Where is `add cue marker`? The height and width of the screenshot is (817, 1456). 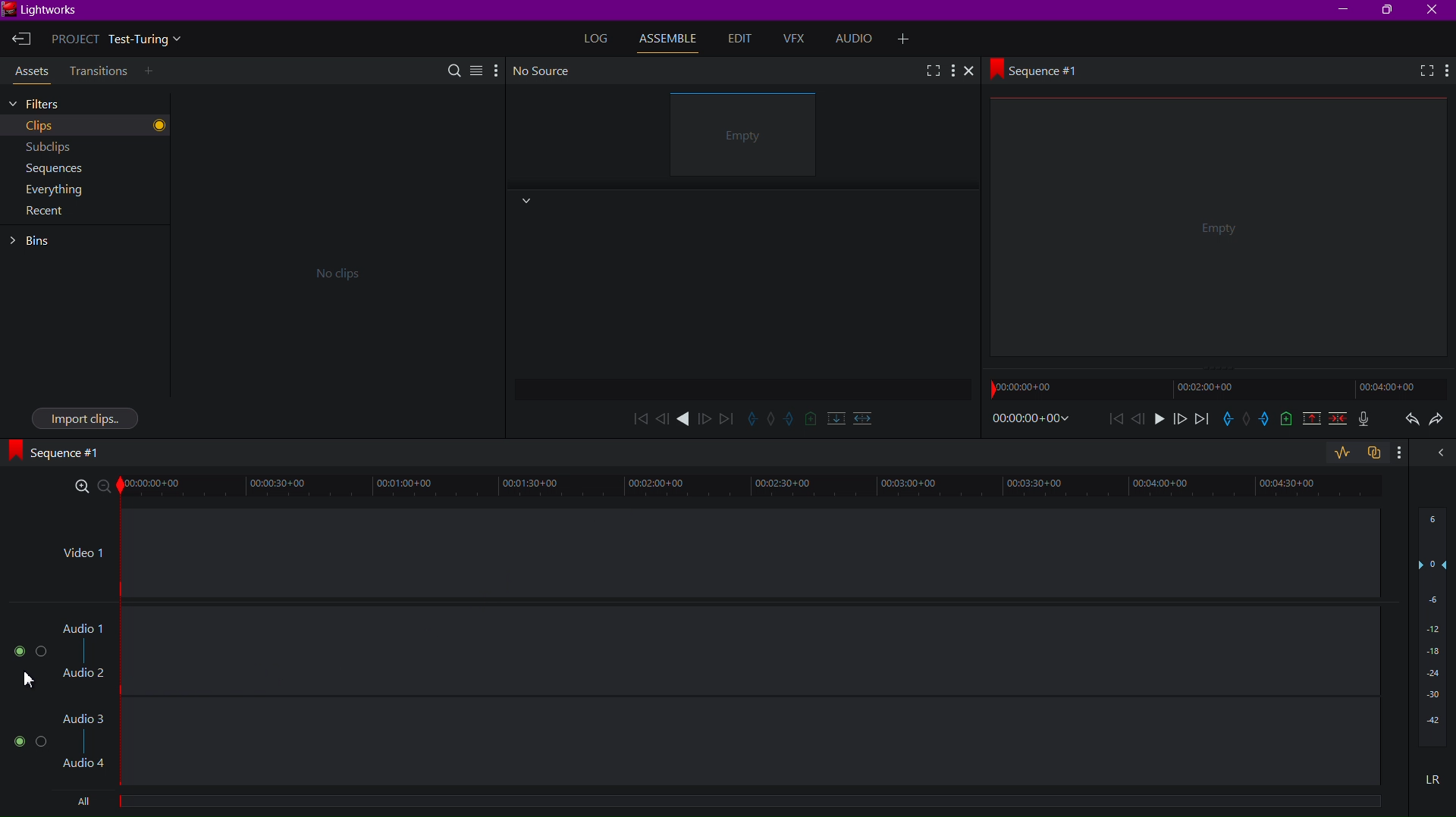 add cue marker is located at coordinates (811, 418).